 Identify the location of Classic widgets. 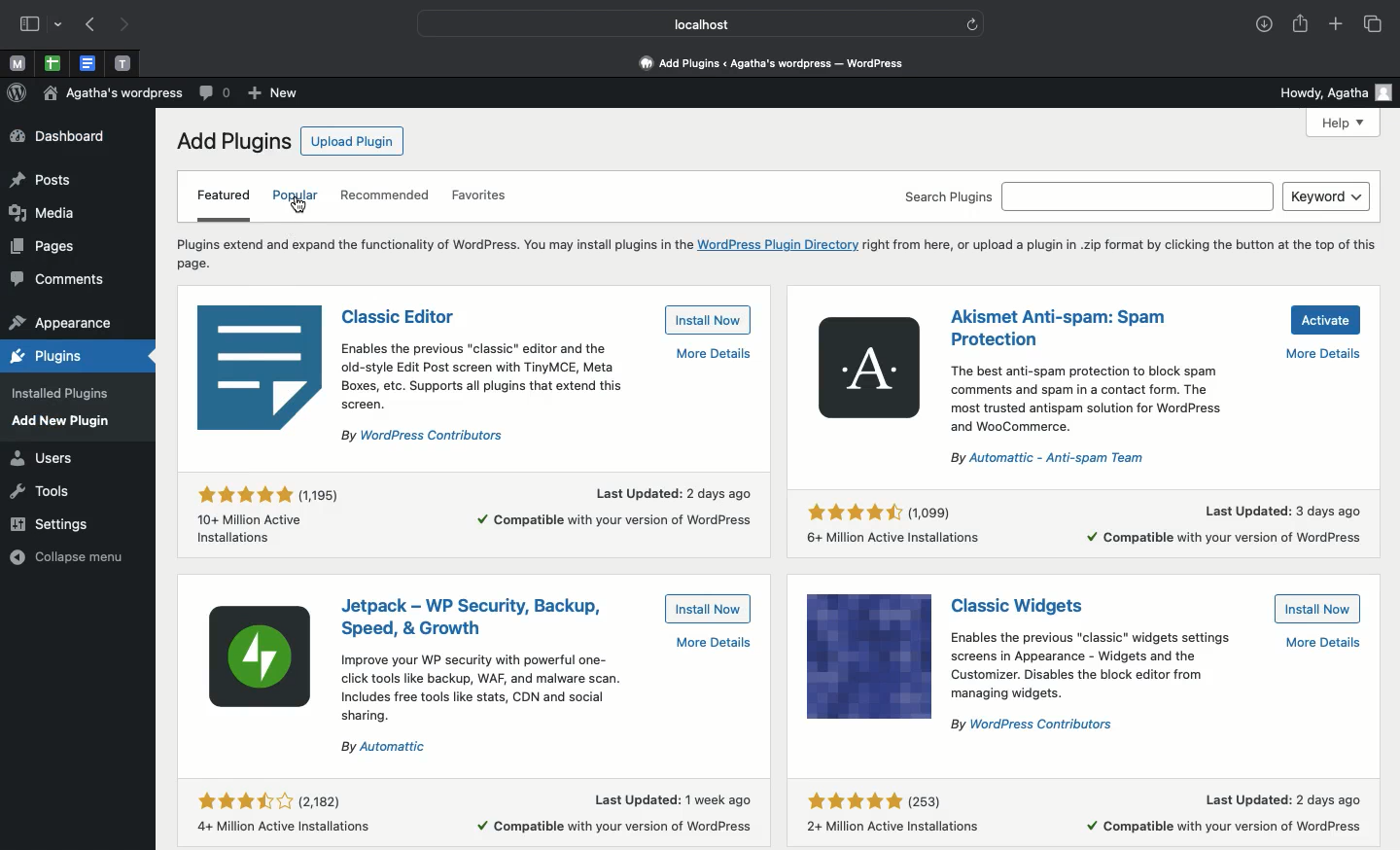
(1022, 605).